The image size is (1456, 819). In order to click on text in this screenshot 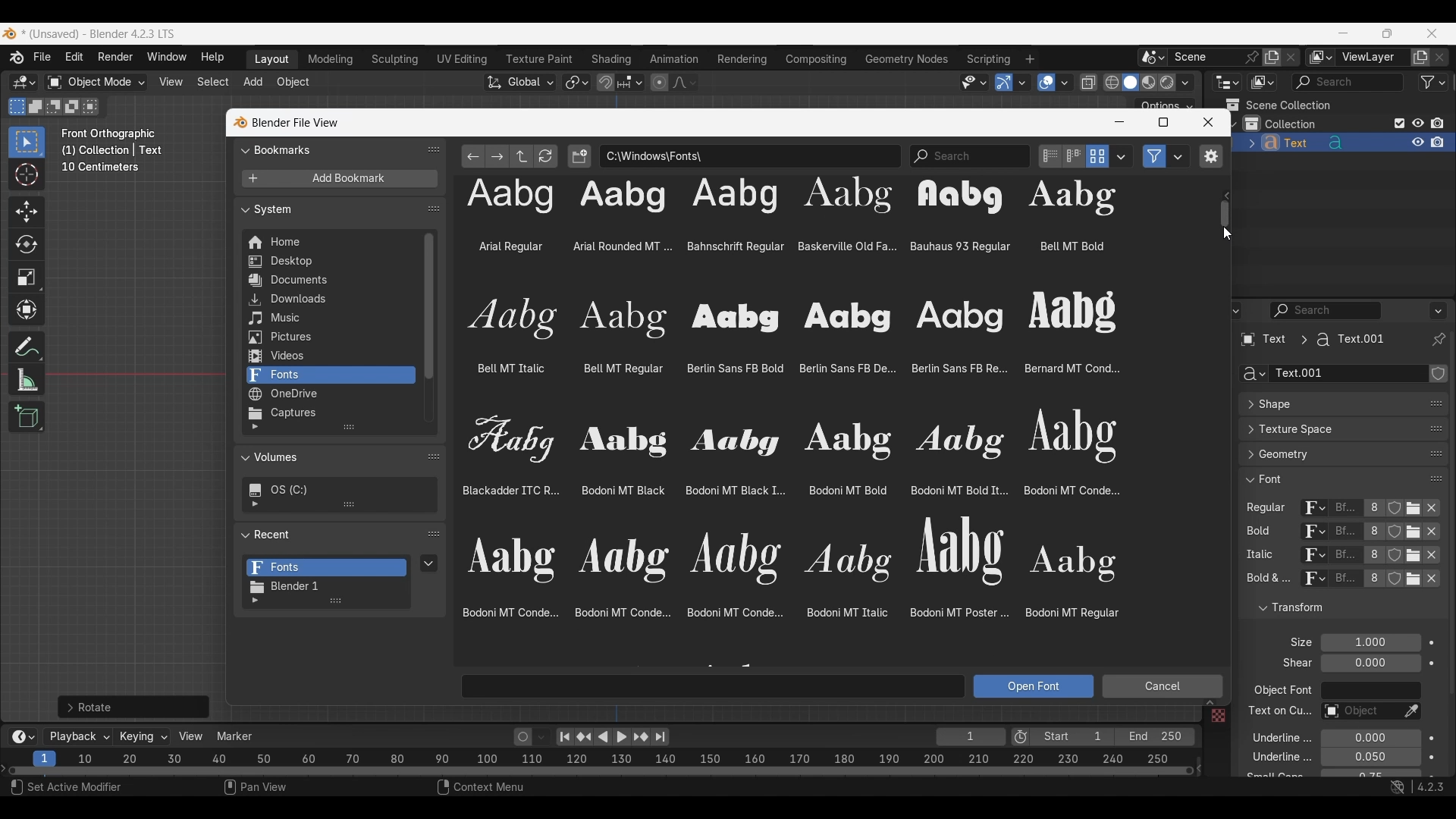, I will do `click(1266, 580)`.